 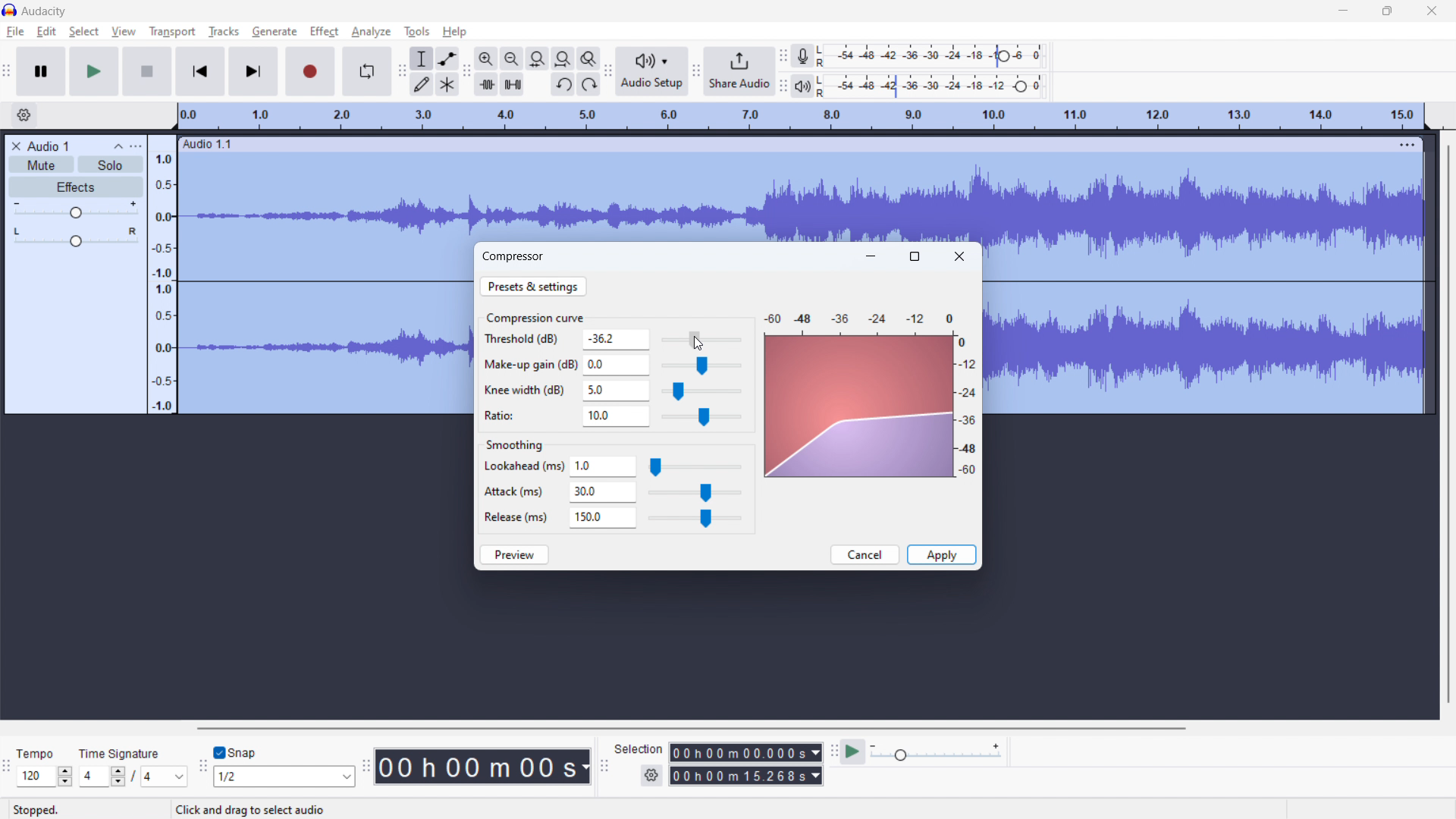 I want to click on cancel, so click(x=864, y=554).